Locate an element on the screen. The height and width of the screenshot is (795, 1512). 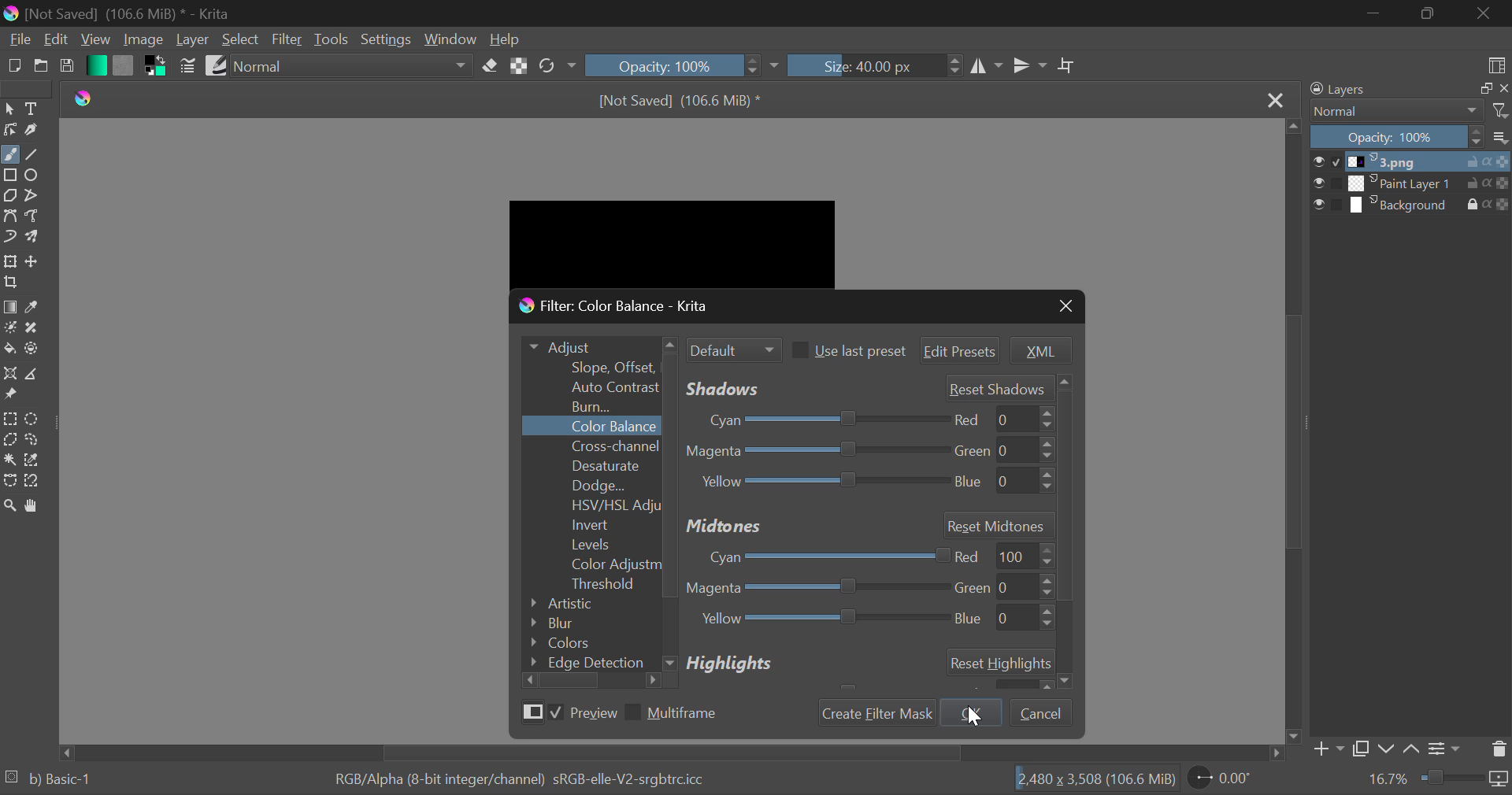
duration is located at coordinates (1464, 780).